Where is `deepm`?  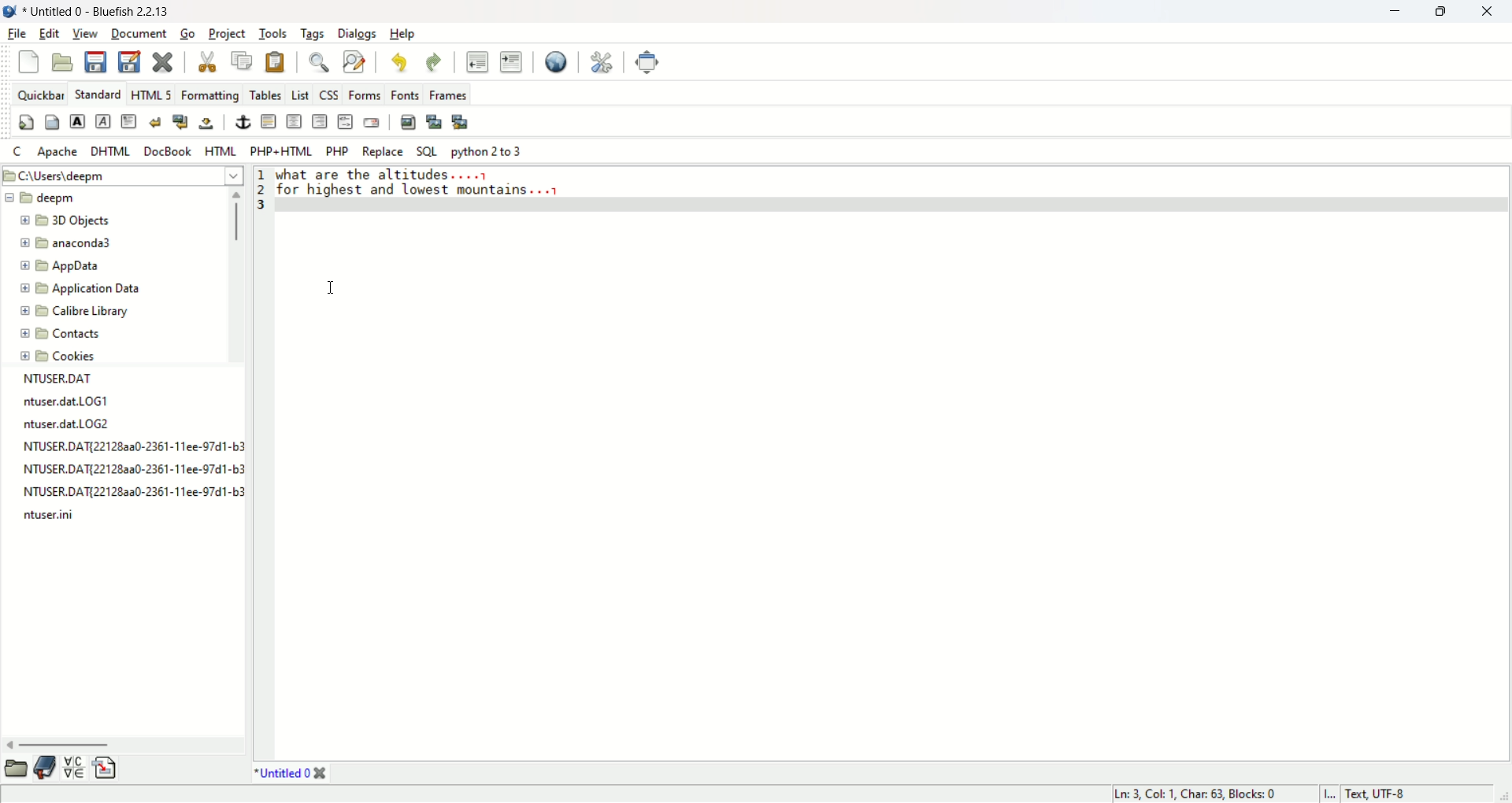
deepm is located at coordinates (43, 197).